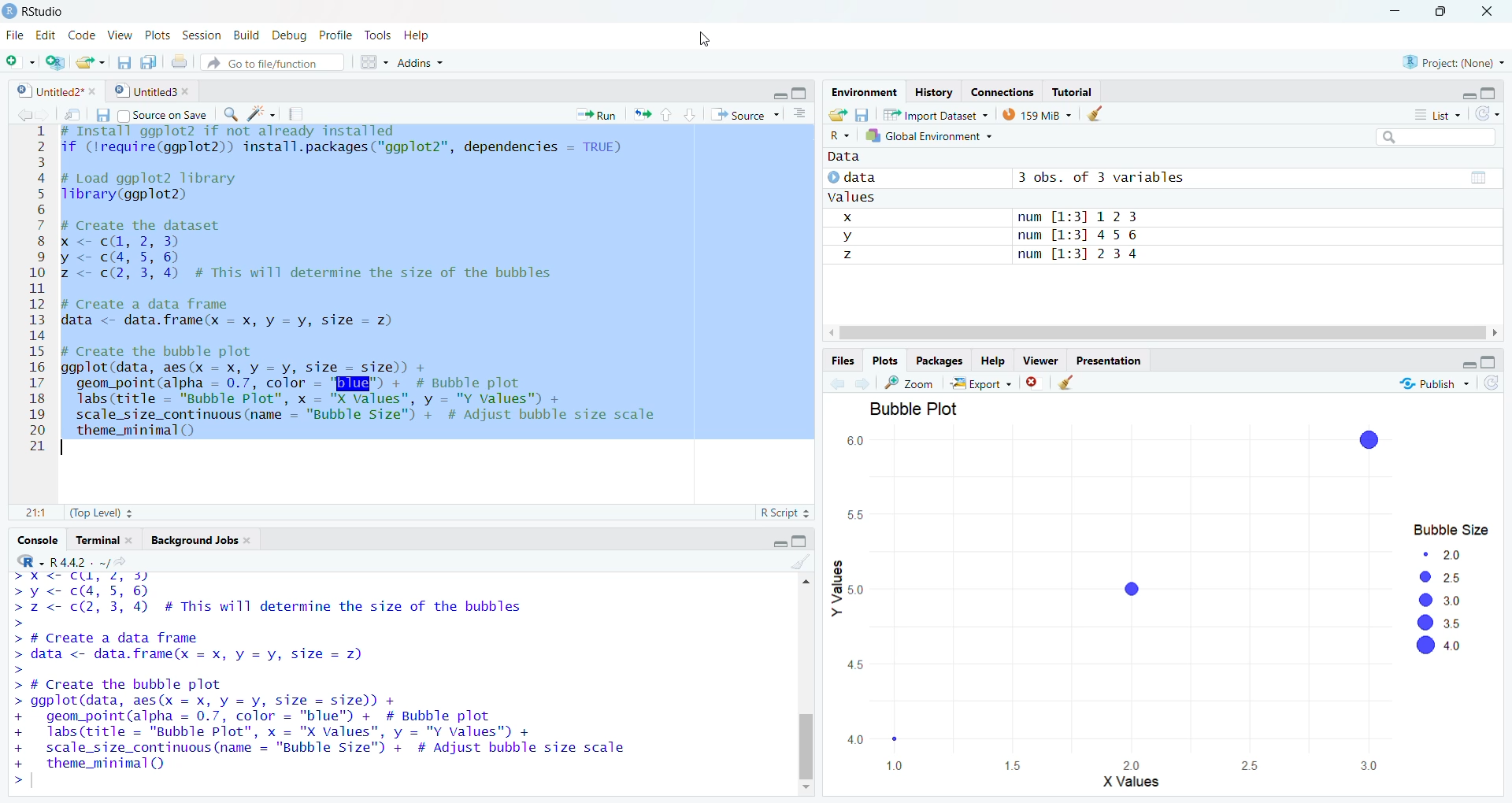  I want to click on + Source ~, so click(743, 115).